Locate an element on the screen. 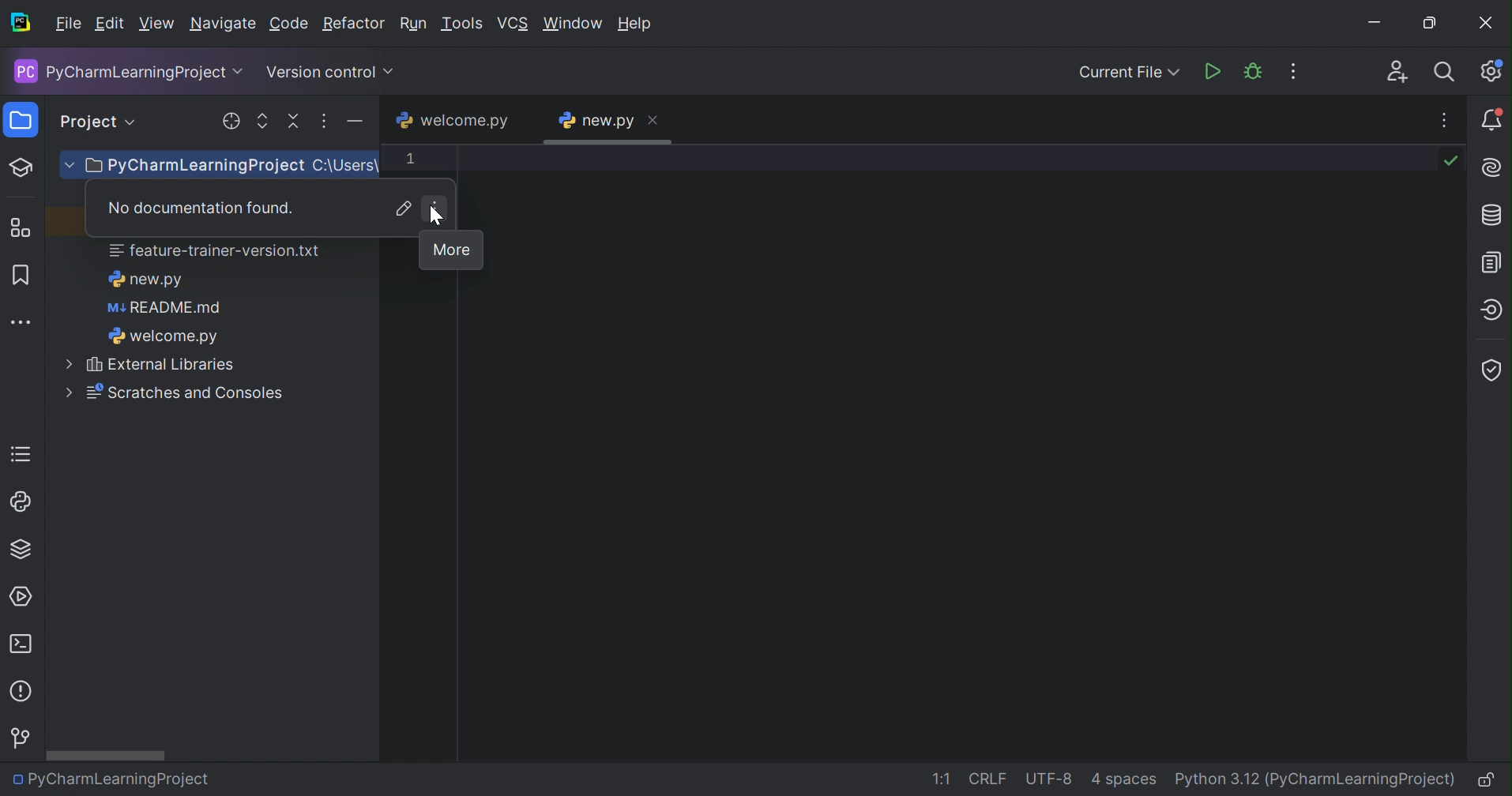 The height and width of the screenshot is (796, 1512). Scroll bar is located at coordinates (106, 755).